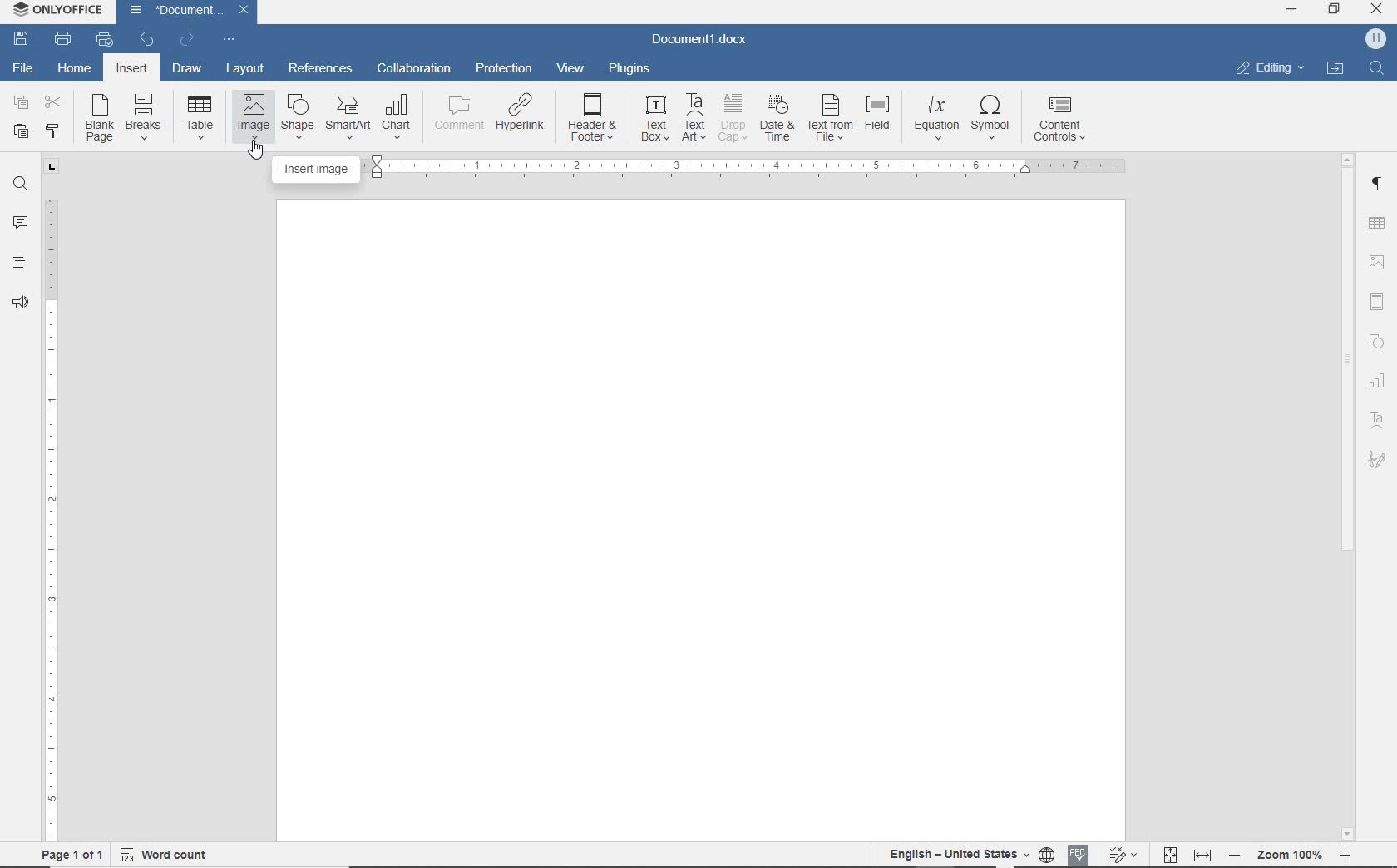 This screenshot has width=1397, height=868. What do you see at coordinates (1380, 185) in the screenshot?
I see `paragraph settings` at bounding box center [1380, 185].